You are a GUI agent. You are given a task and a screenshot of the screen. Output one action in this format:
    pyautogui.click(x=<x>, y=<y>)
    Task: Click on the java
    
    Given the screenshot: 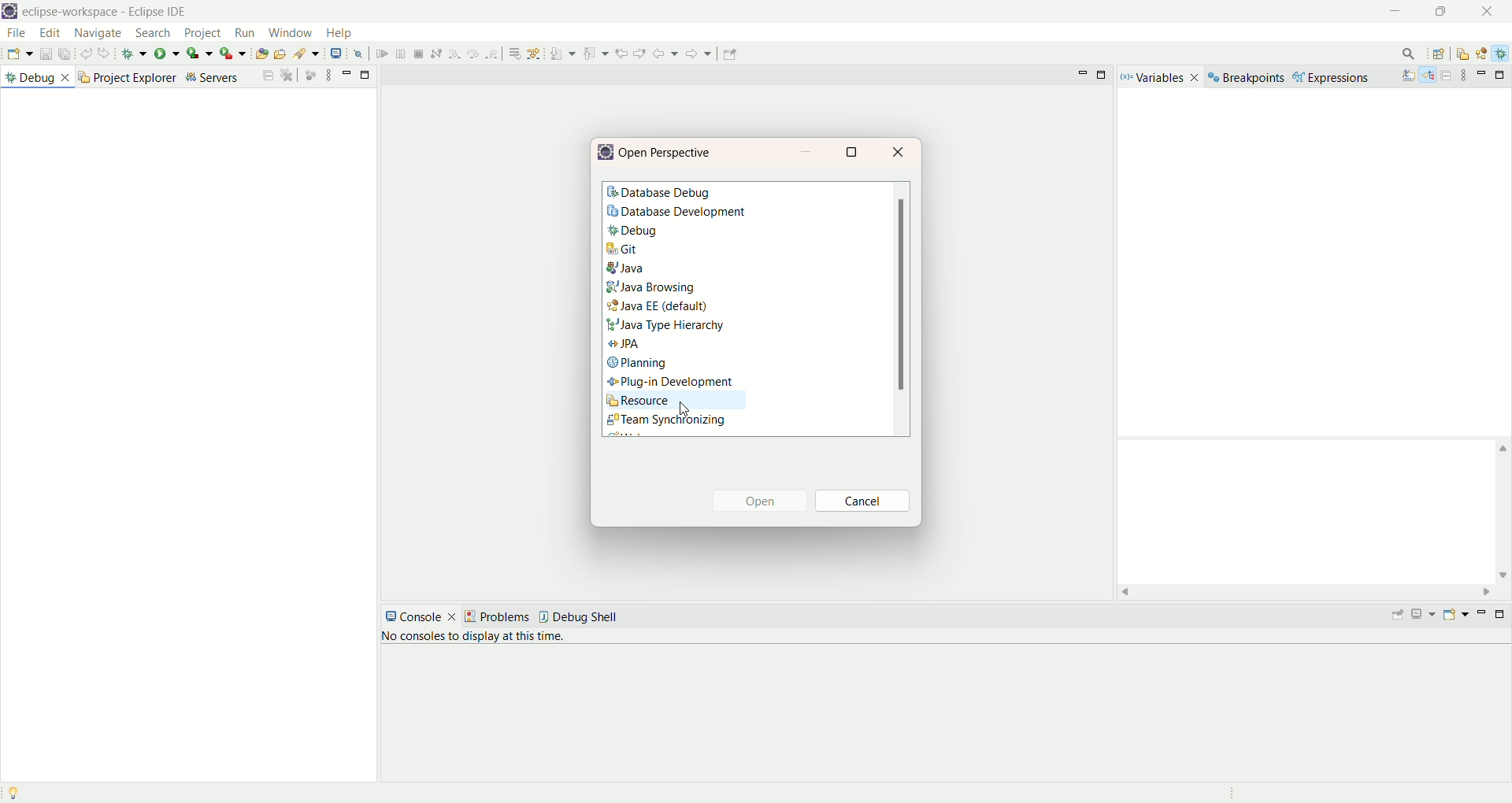 What is the action you would take?
    pyautogui.click(x=629, y=269)
    